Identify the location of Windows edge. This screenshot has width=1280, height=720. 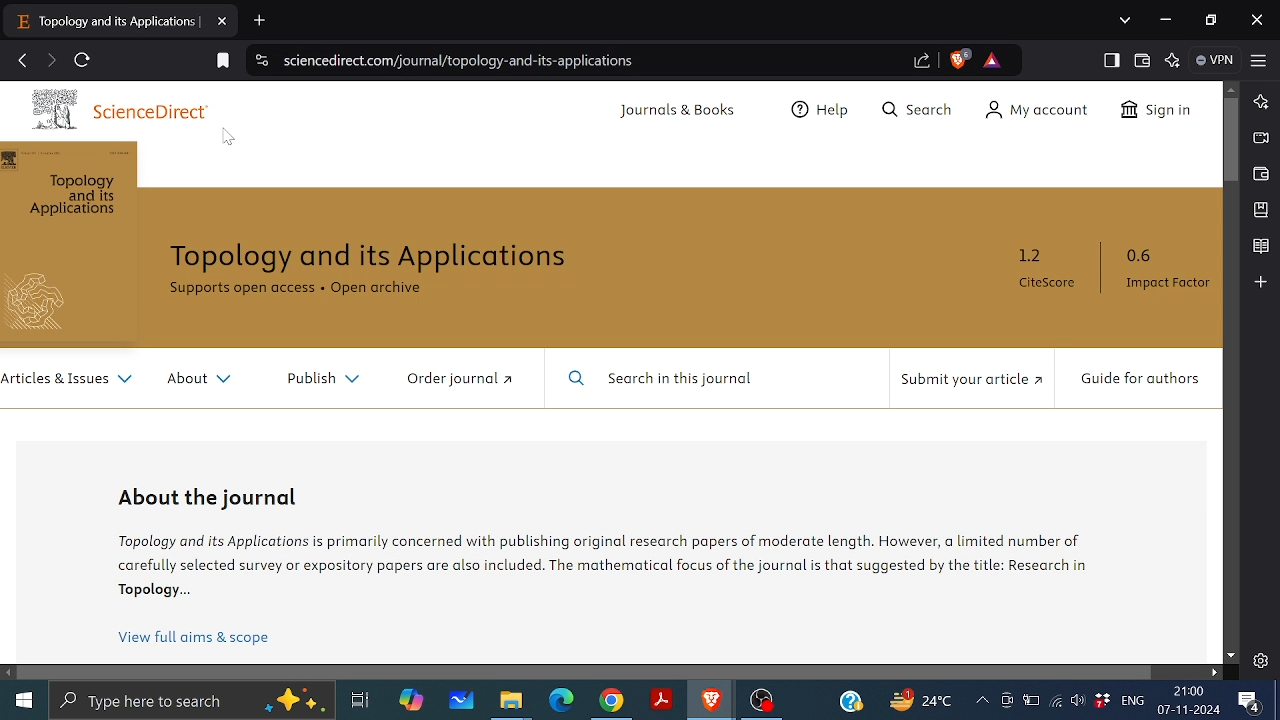
(560, 701).